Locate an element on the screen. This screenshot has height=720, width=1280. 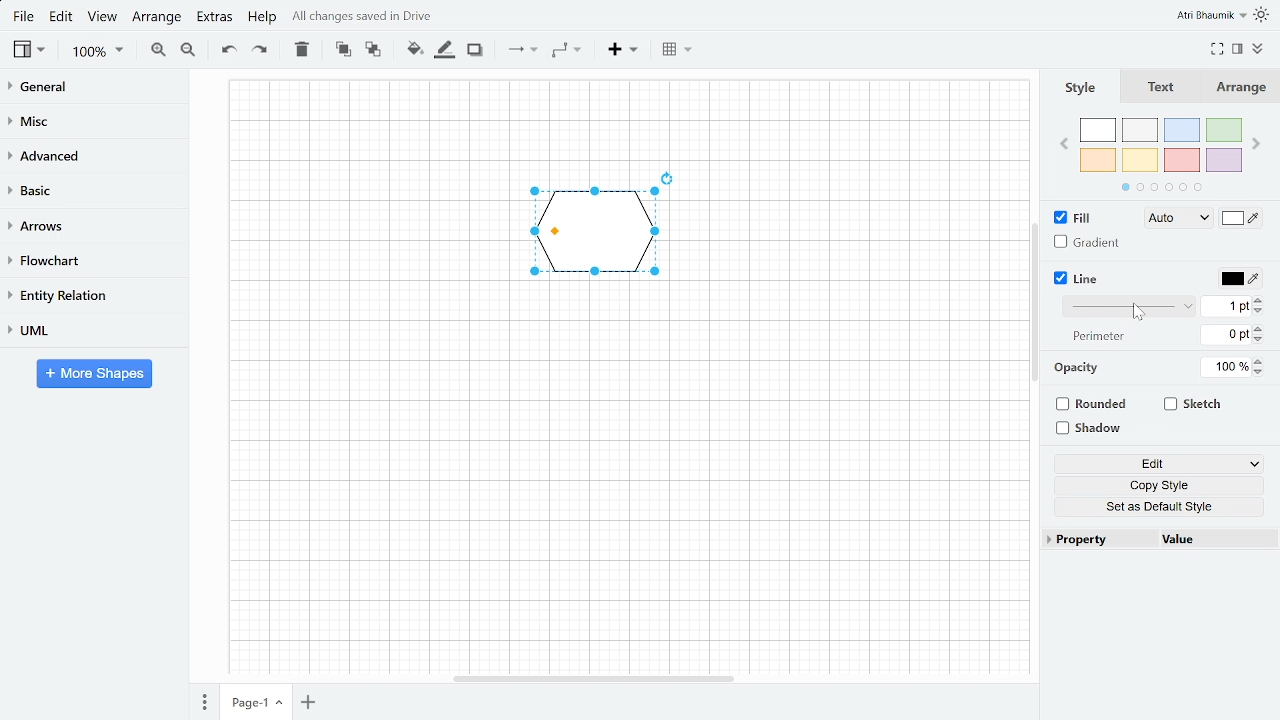
 Flow chart is located at coordinates (86, 258).